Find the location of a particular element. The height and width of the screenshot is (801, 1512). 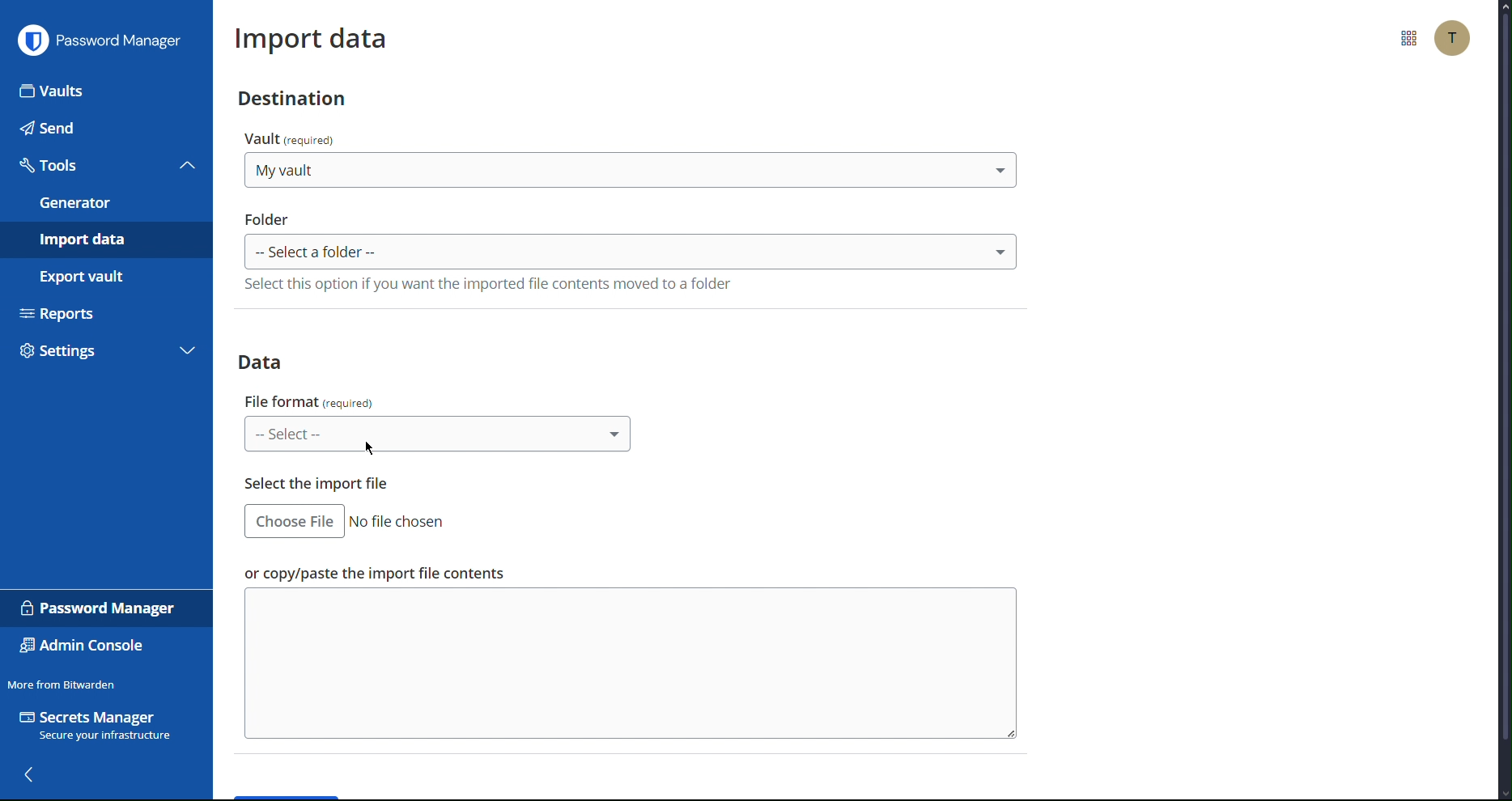

Destination is located at coordinates (289, 97).